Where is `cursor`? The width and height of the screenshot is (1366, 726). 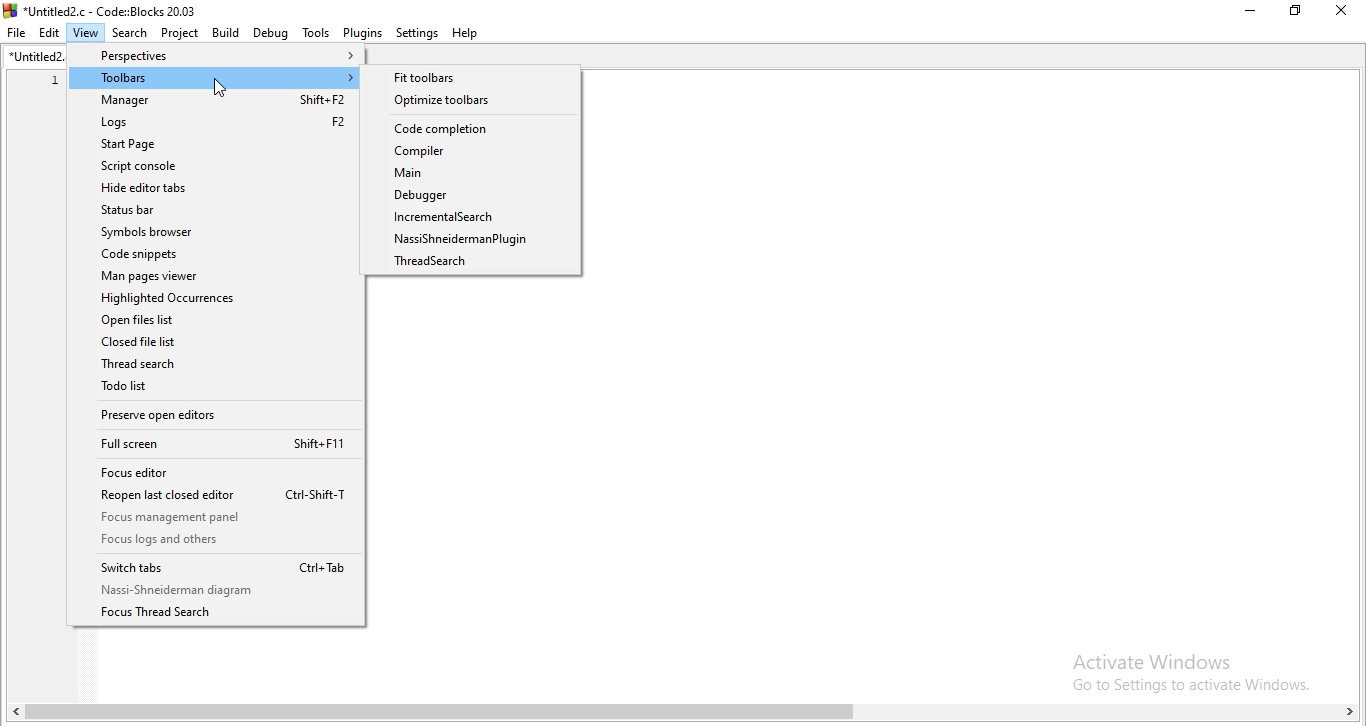
cursor is located at coordinates (220, 88).